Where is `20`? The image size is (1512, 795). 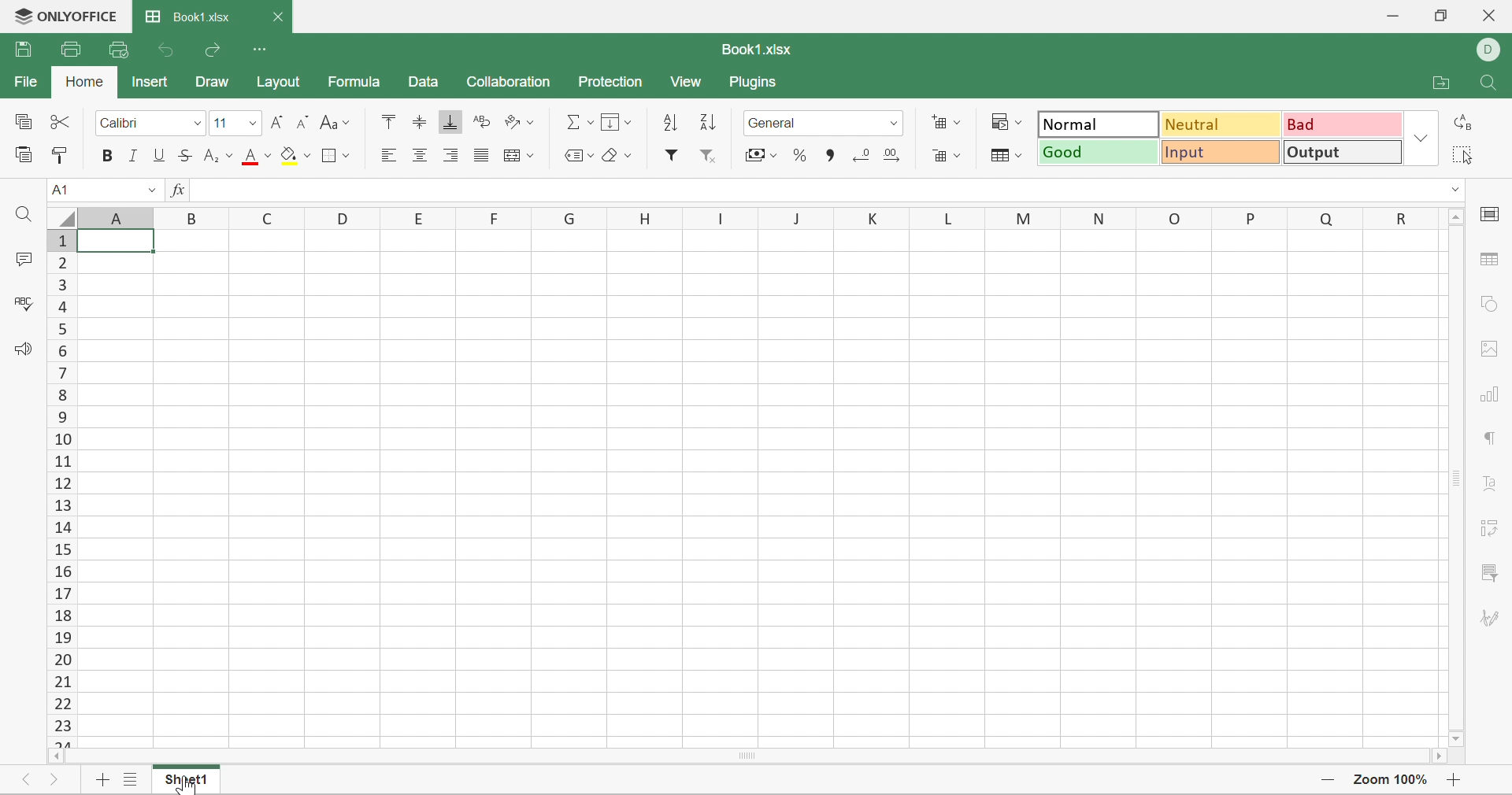
20 is located at coordinates (61, 657).